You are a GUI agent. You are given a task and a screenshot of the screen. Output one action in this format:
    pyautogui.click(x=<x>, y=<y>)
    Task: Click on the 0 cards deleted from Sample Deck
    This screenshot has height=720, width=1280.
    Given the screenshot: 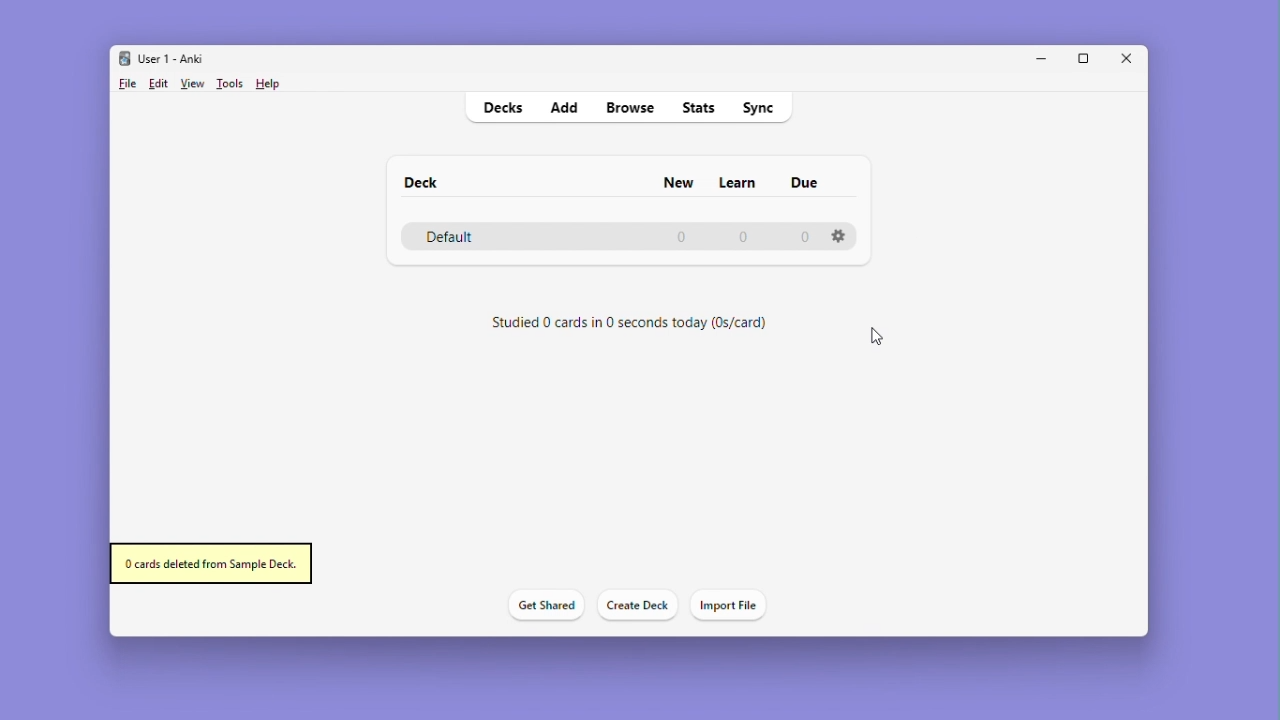 What is the action you would take?
    pyautogui.click(x=212, y=564)
    